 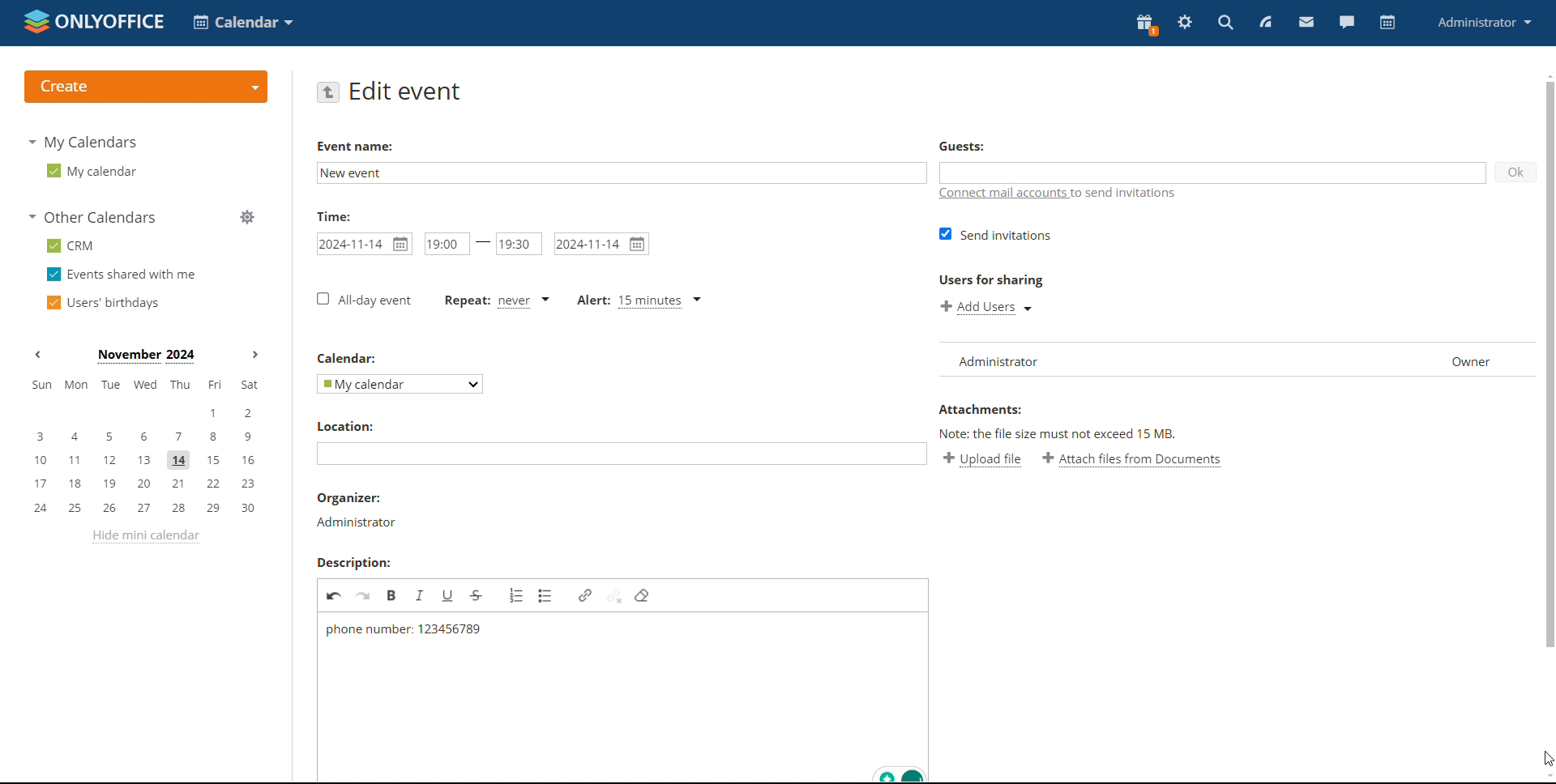 I want to click on add users, so click(x=986, y=308).